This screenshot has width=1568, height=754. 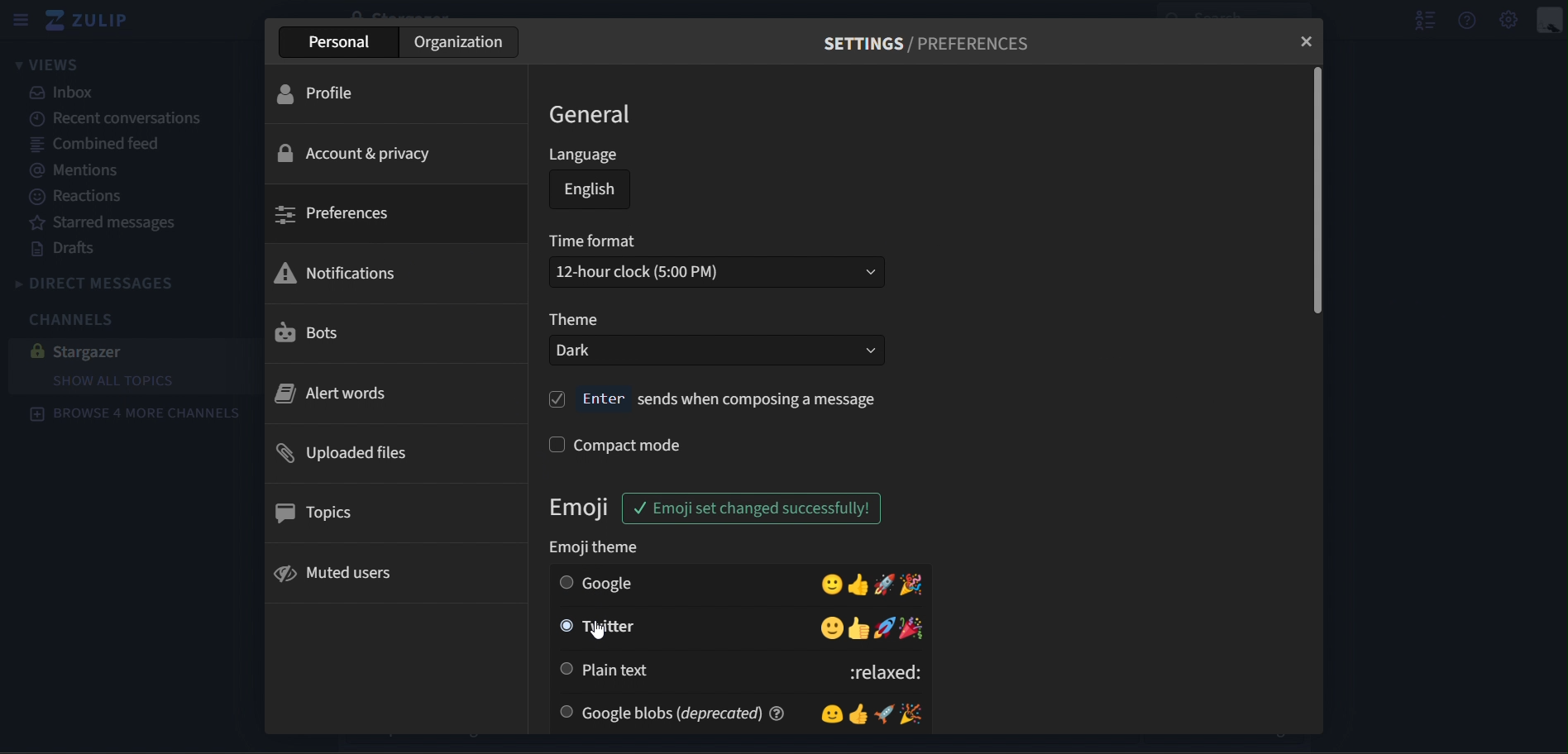 I want to click on inbox, so click(x=70, y=93).